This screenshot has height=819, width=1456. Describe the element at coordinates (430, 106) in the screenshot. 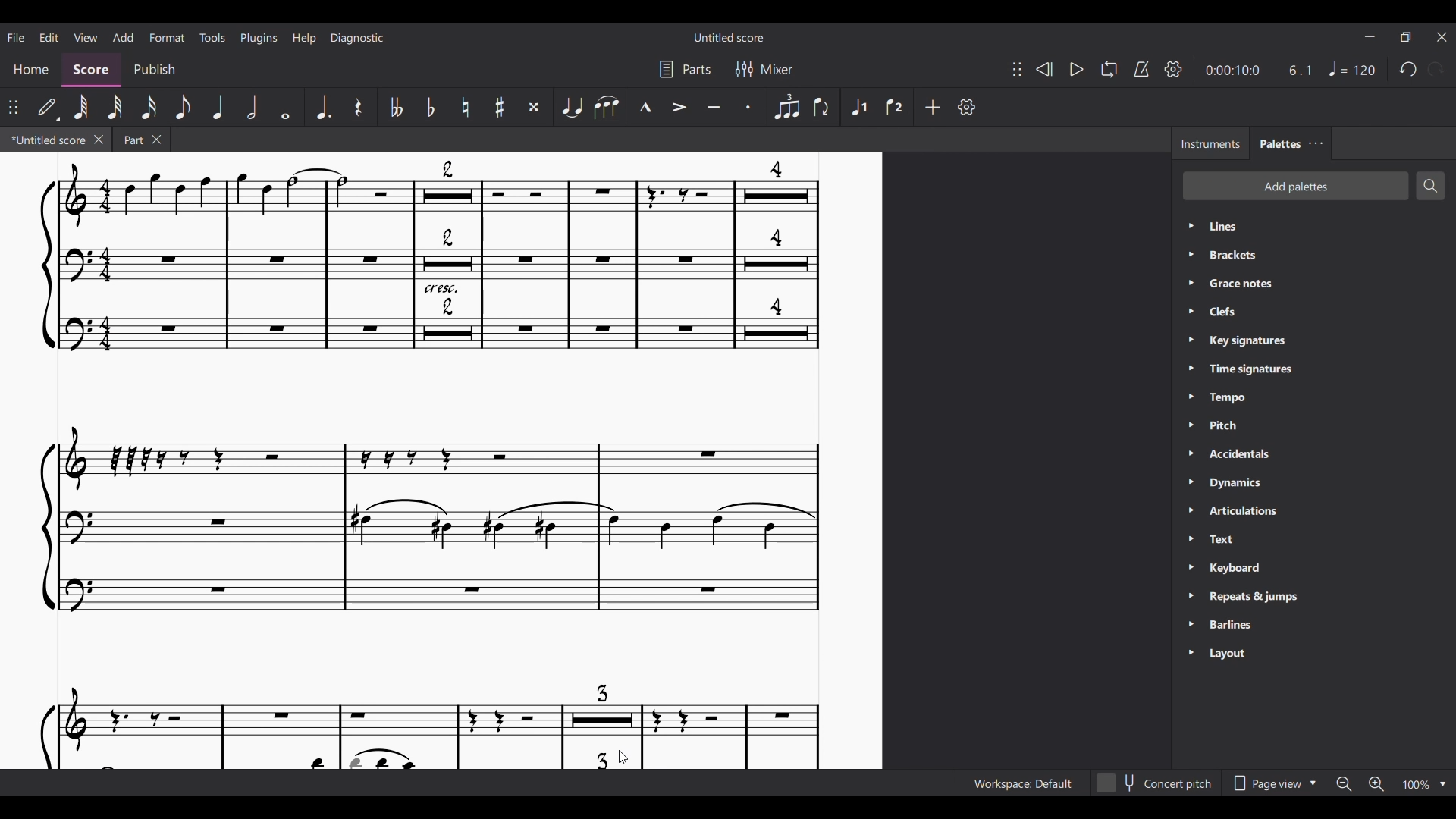

I see `Toggle flat` at that location.